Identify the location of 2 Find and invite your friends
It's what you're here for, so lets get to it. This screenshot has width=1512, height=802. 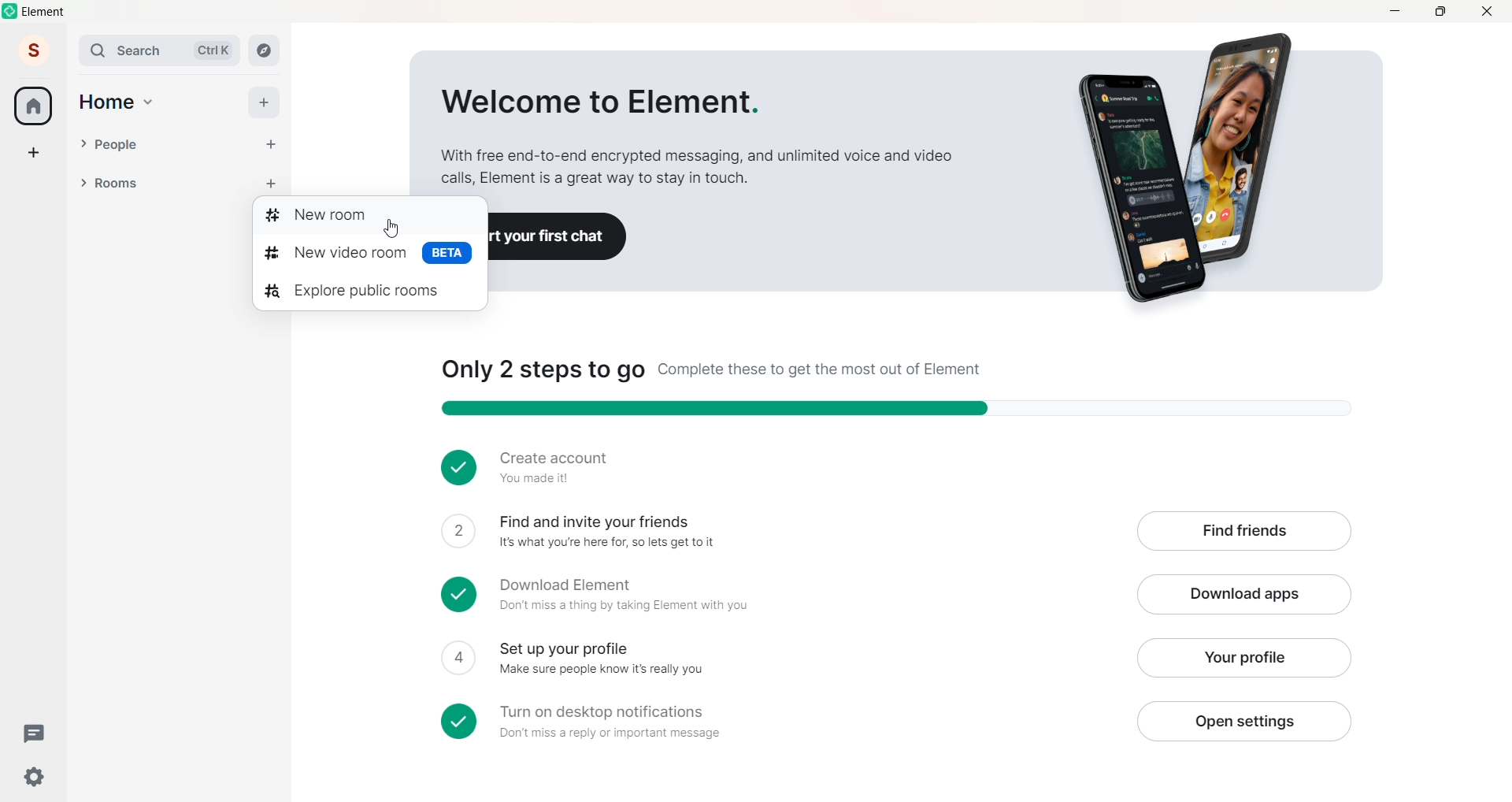
(777, 532).